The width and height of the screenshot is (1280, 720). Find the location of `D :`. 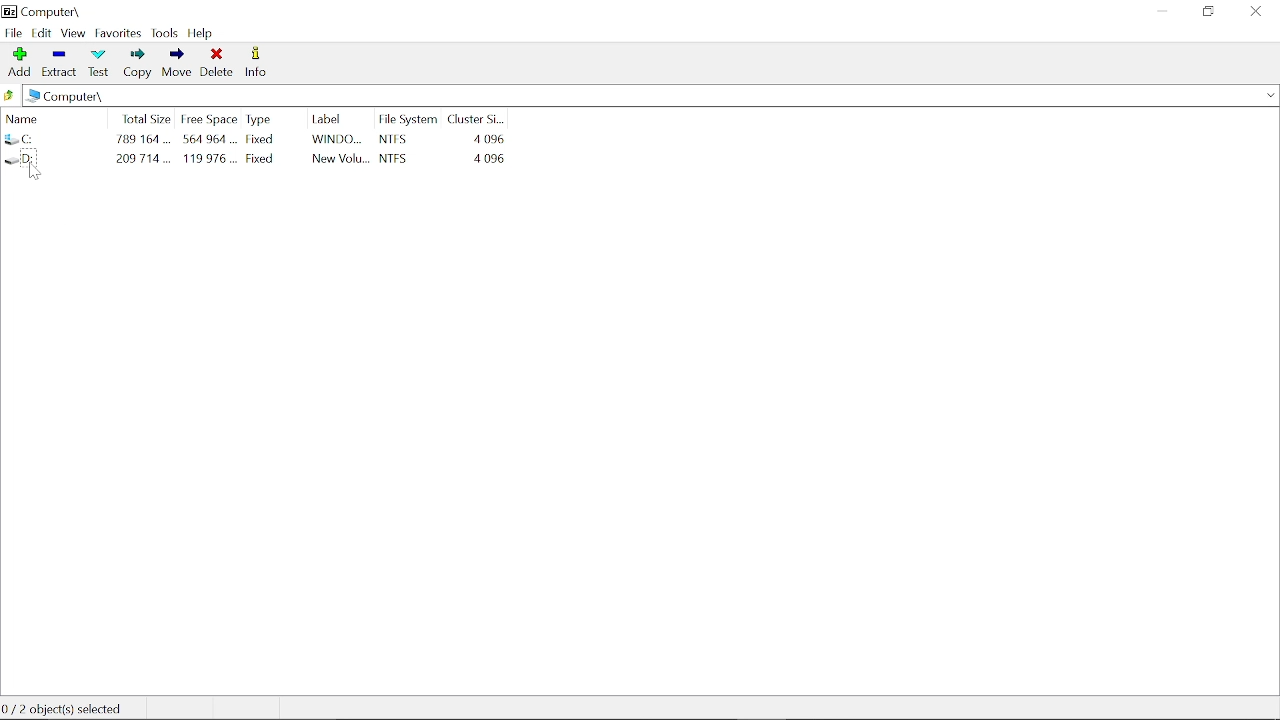

D : is located at coordinates (55, 159).